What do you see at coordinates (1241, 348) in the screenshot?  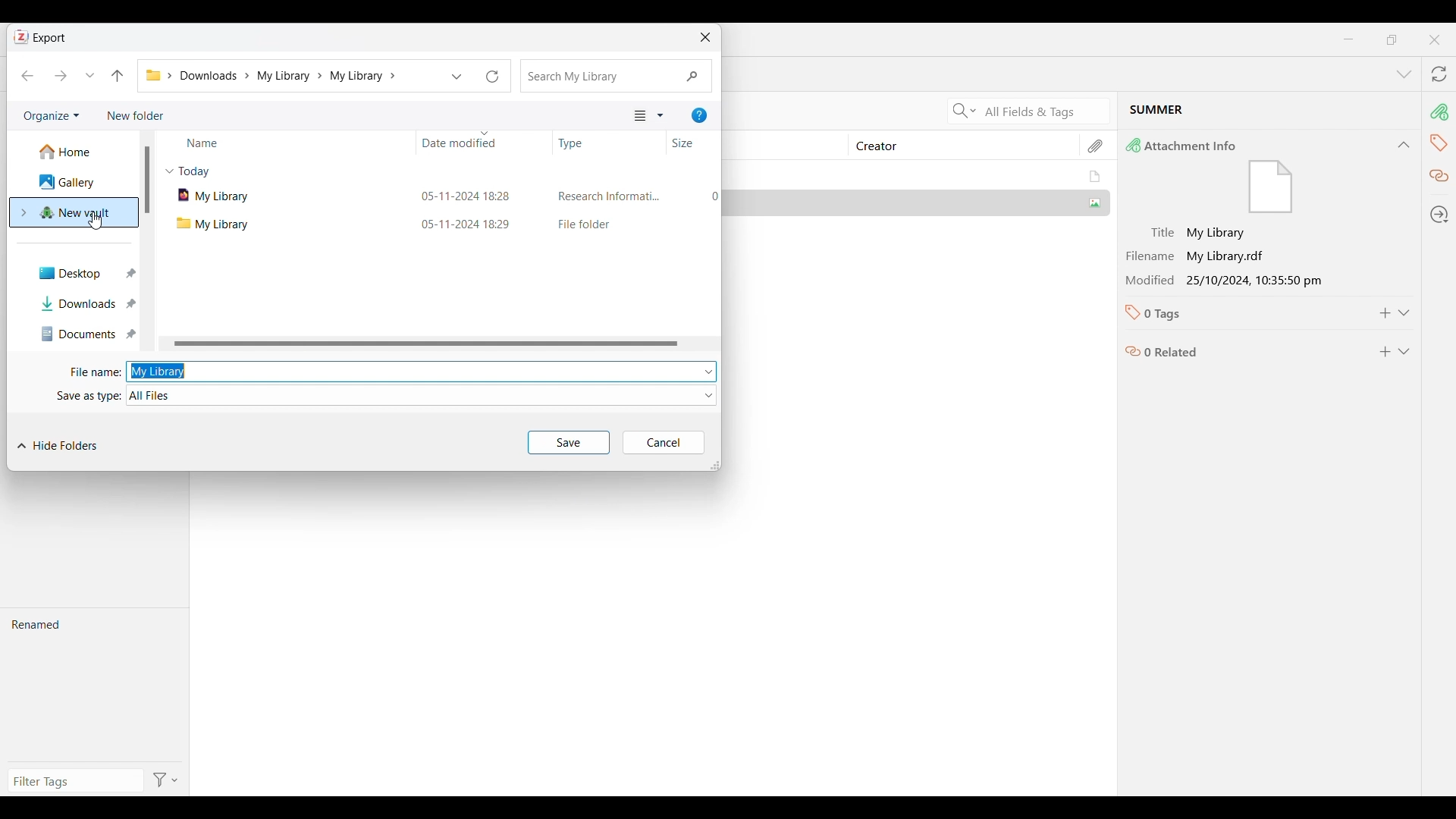 I see `0 related` at bounding box center [1241, 348].